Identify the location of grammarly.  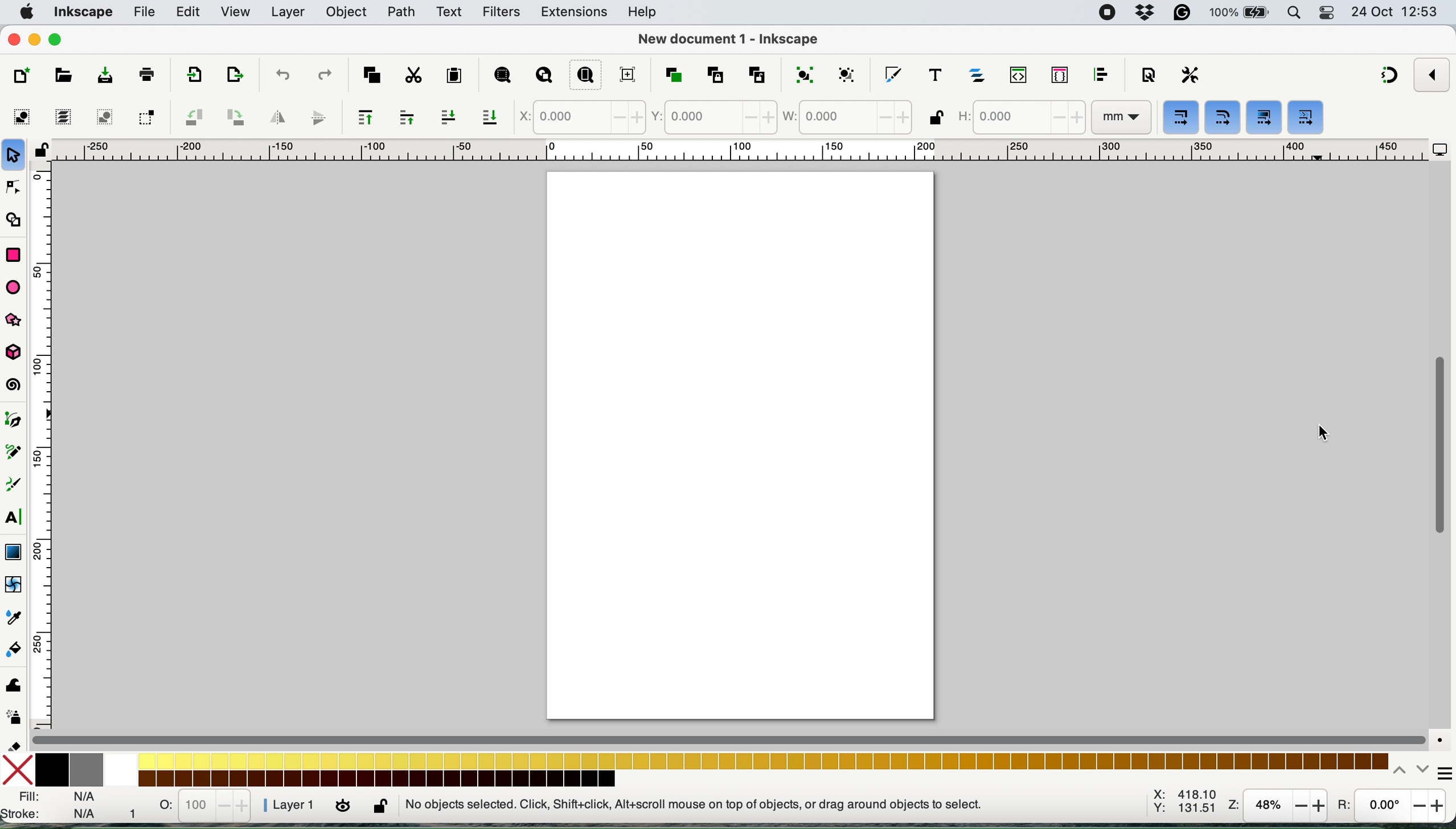
(1183, 13).